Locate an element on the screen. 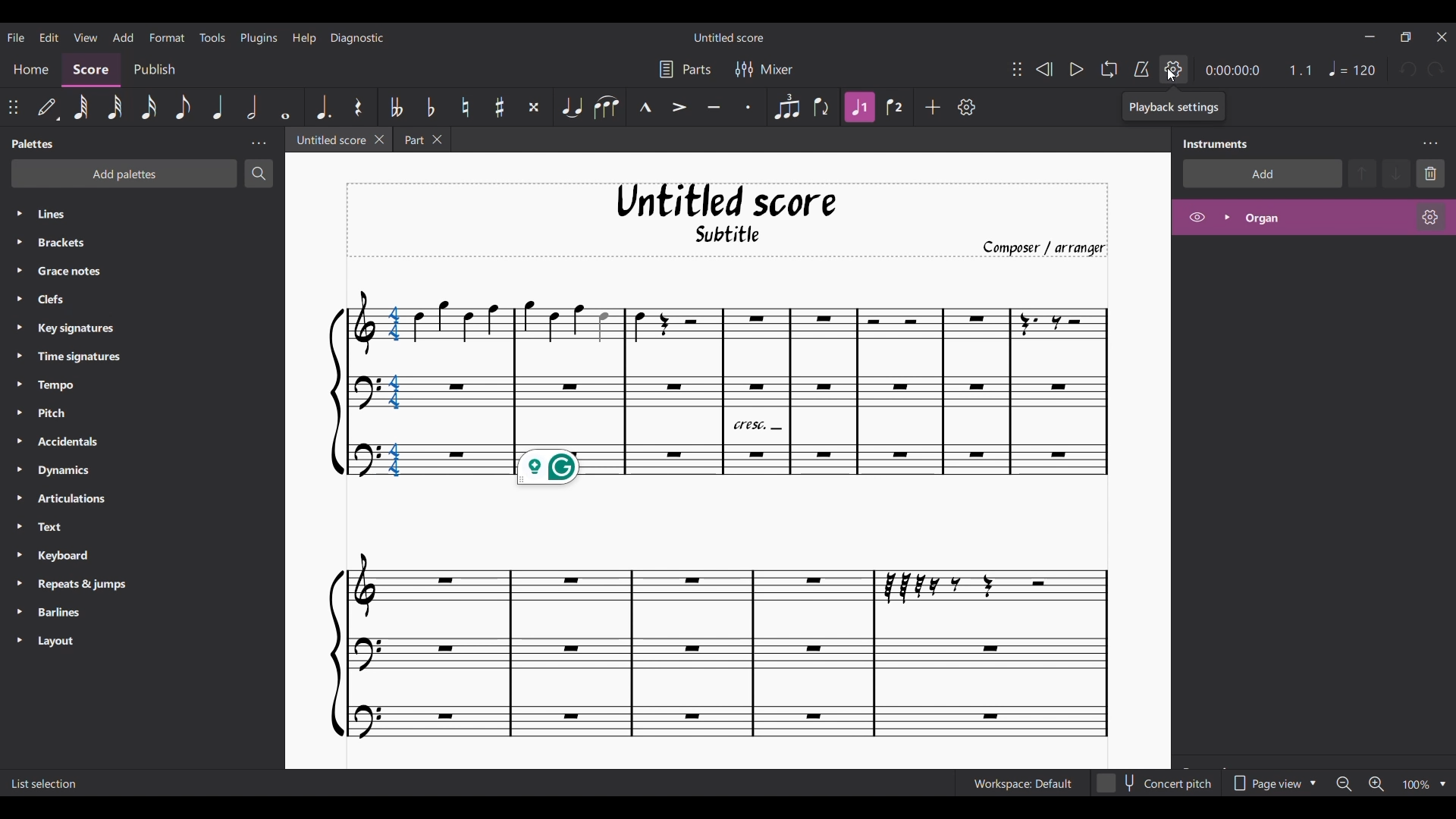  Highlighted after current selection is located at coordinates (1280, 217).